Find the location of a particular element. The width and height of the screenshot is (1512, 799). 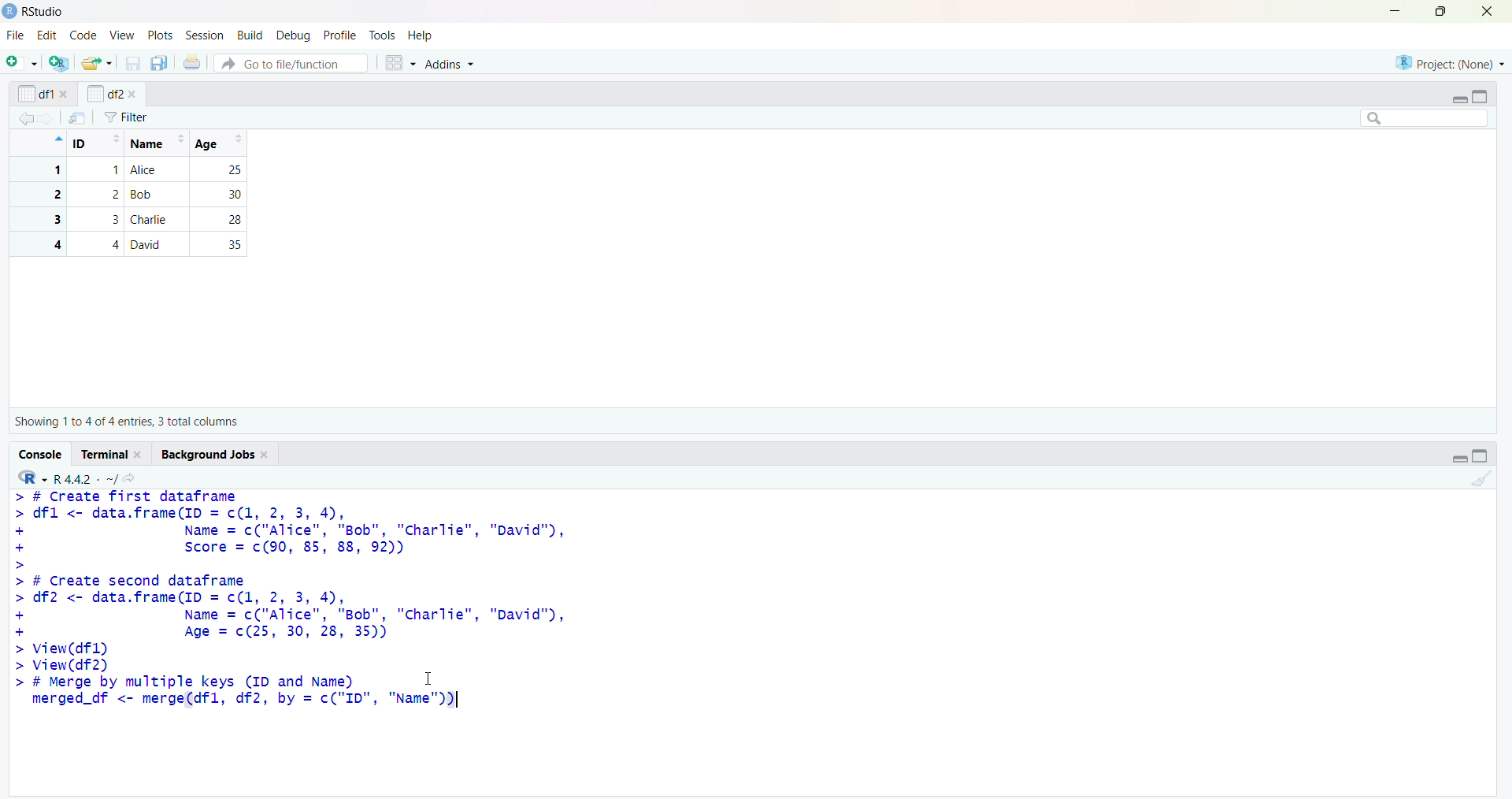

df2 is located at coordinates (104, 93).